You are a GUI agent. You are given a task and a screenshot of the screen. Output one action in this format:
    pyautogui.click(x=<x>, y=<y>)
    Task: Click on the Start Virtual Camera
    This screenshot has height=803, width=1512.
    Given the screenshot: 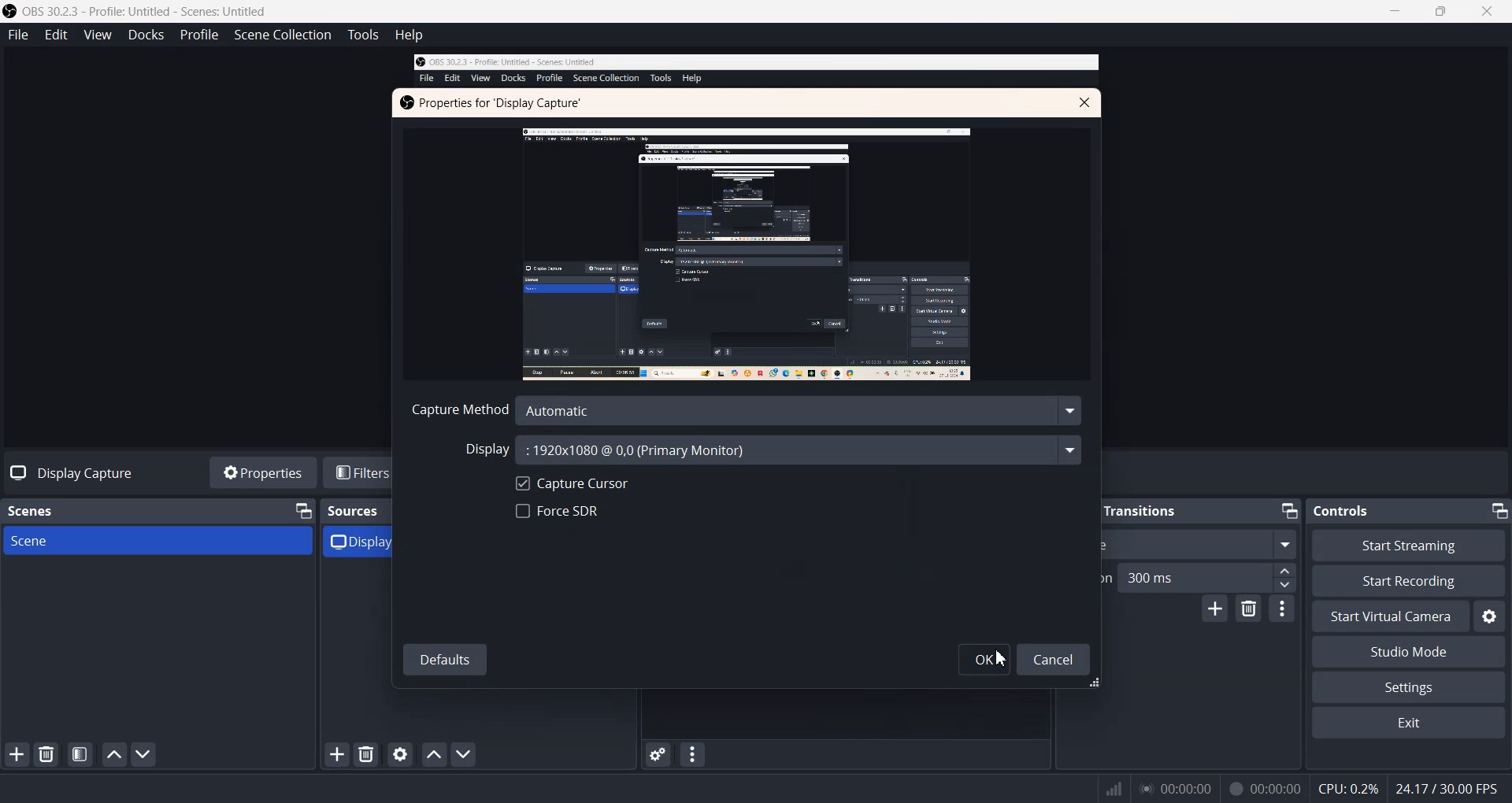 What is the action you would take?
    pyautogui.click(x=1390, y=616)
    